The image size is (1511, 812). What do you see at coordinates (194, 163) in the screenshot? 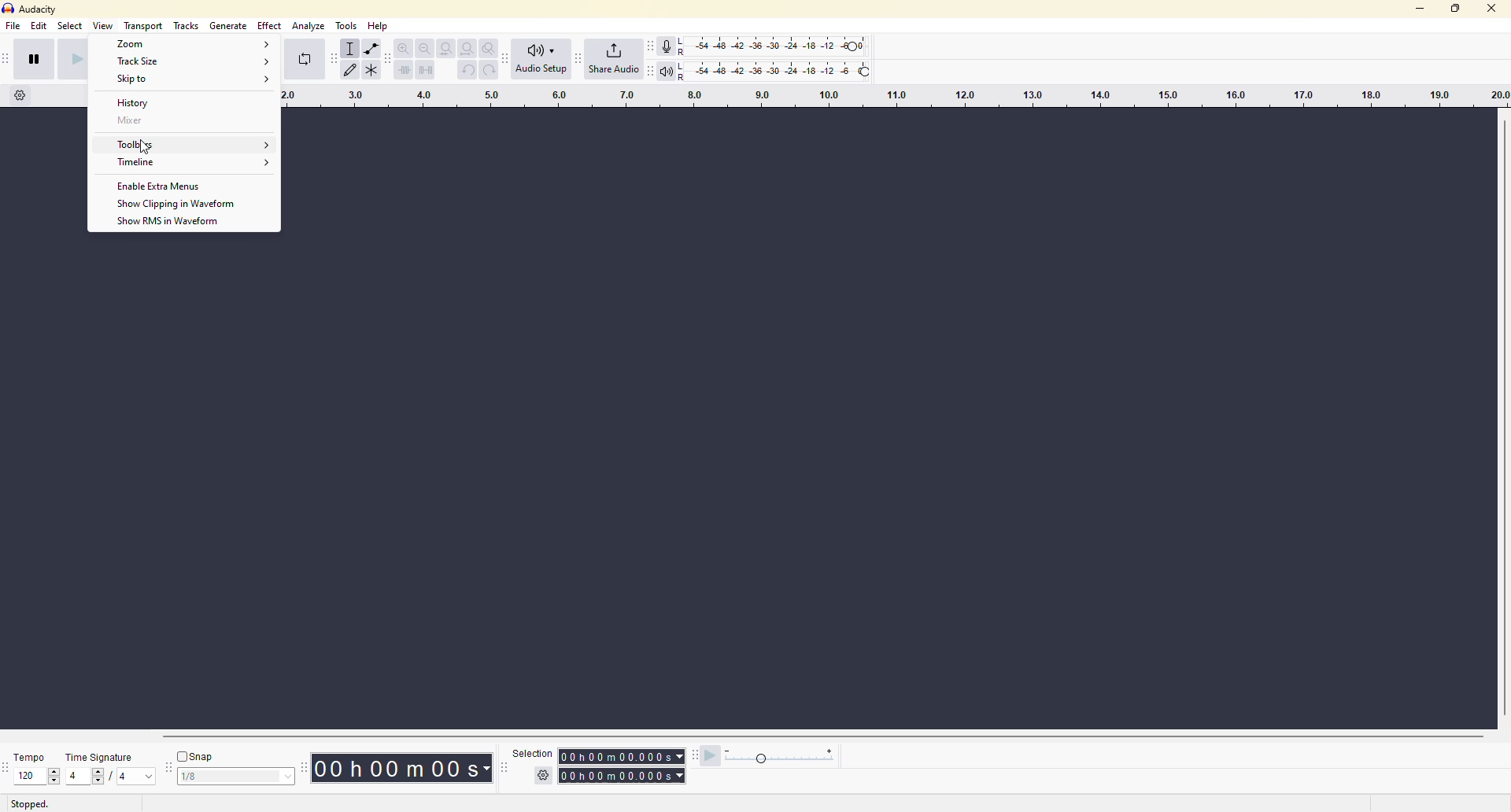
I see `Timeline` at bounding box center [194, 163].